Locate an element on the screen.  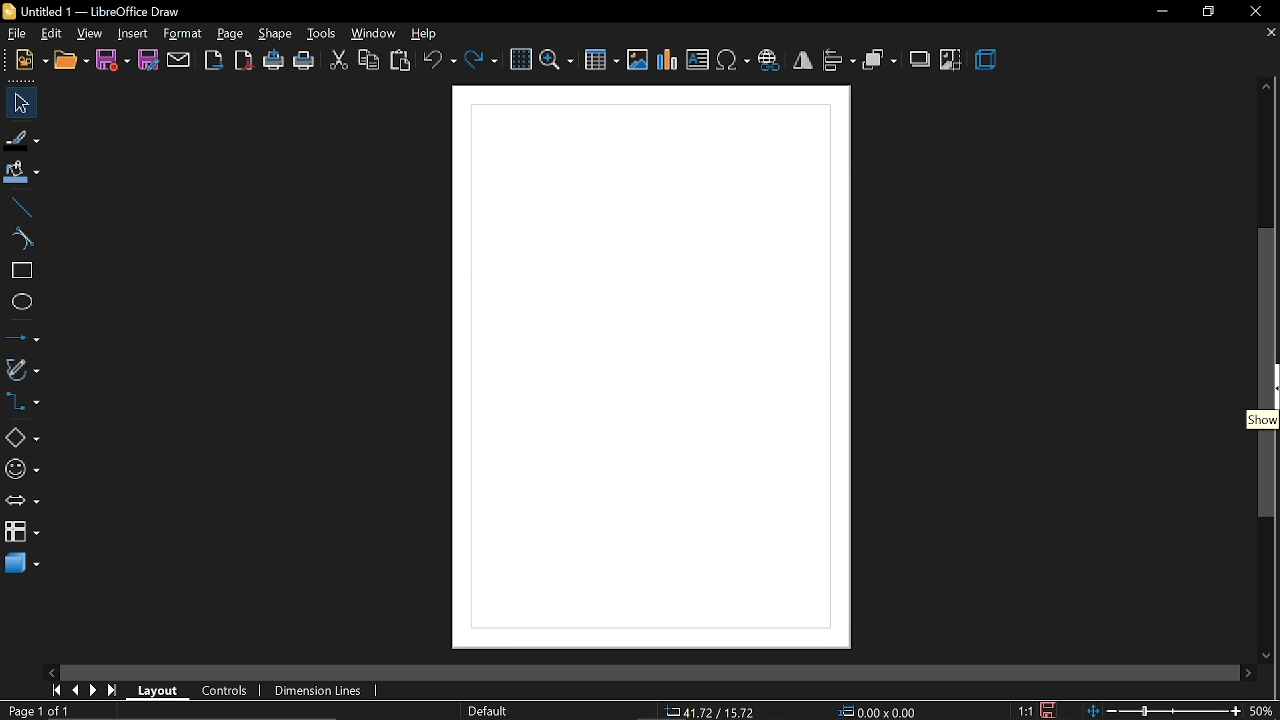
layout is located at coordinates (161, 692).